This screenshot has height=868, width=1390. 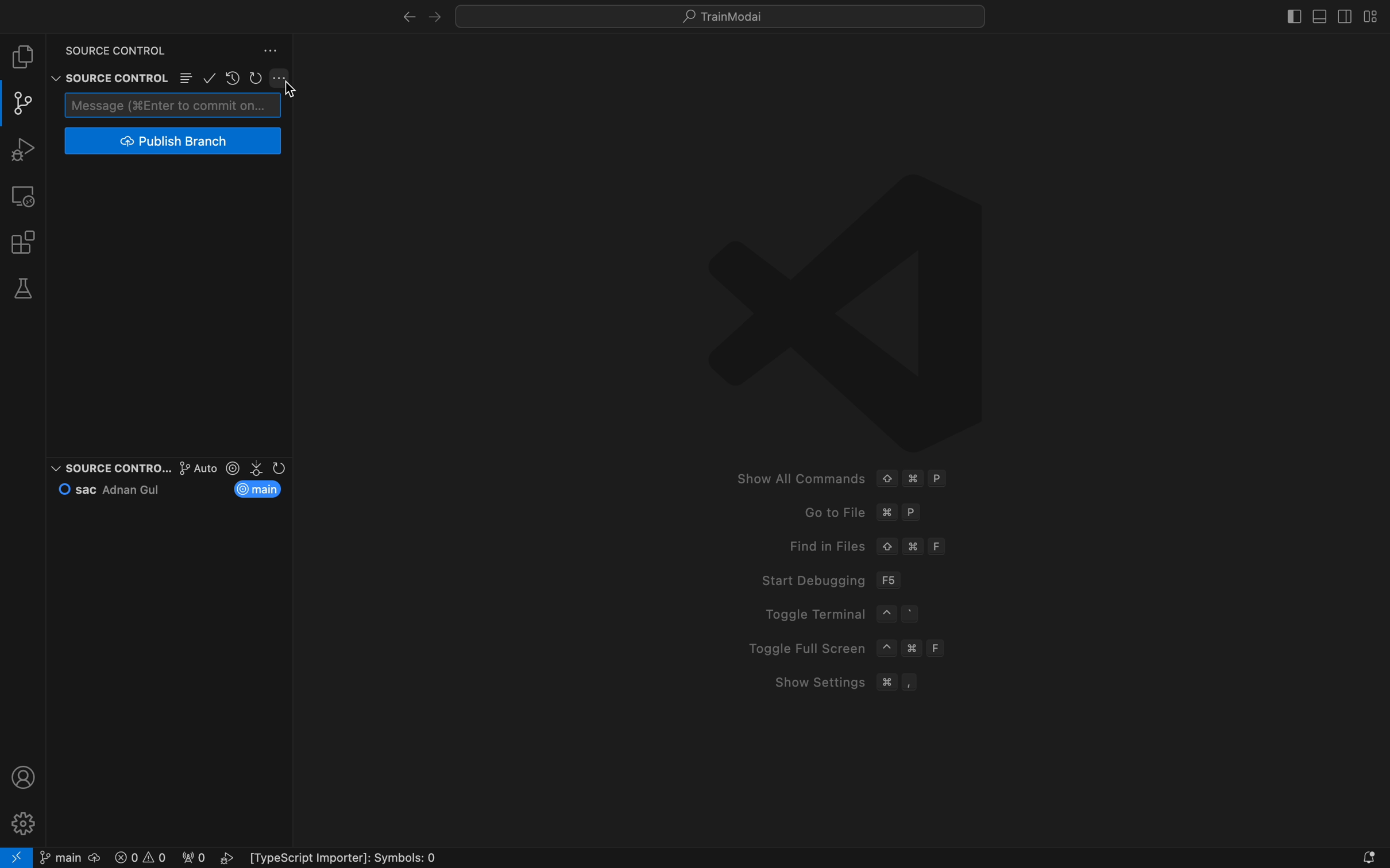 What do you see at coordinates (435, 17) in the screenshot?
I see `left arrow` at bounding box center [435, 17].